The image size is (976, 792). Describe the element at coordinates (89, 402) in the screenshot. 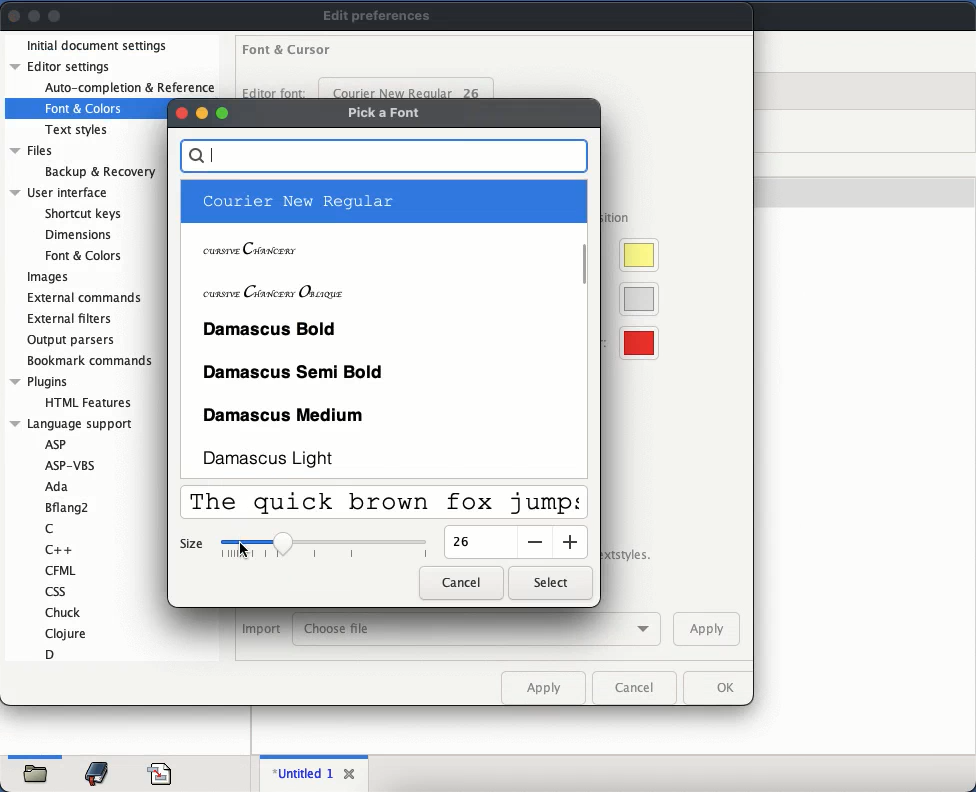

I see `HTML Features` at that location.